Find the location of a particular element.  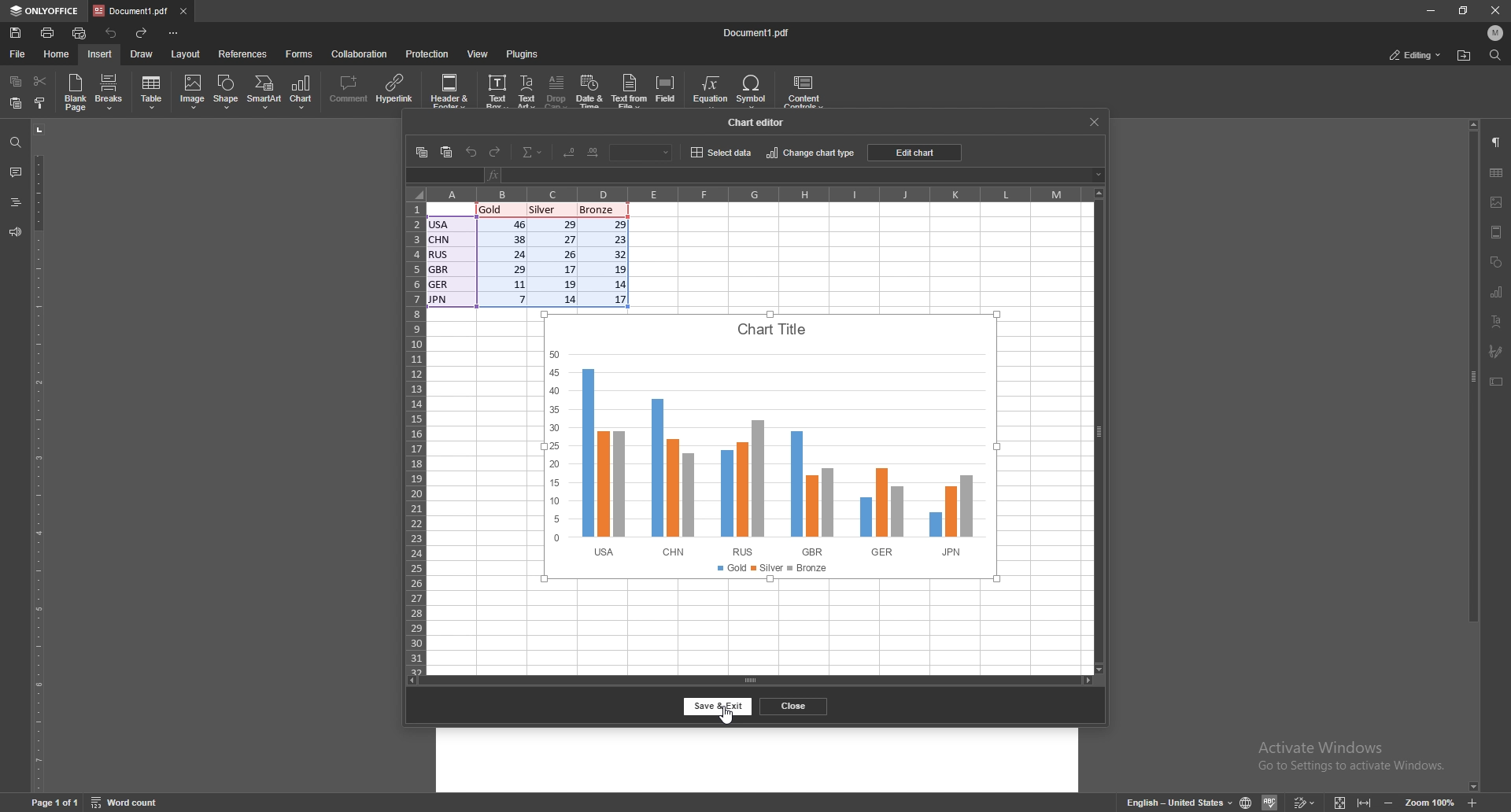

comment is located at coordinates (348, 90).